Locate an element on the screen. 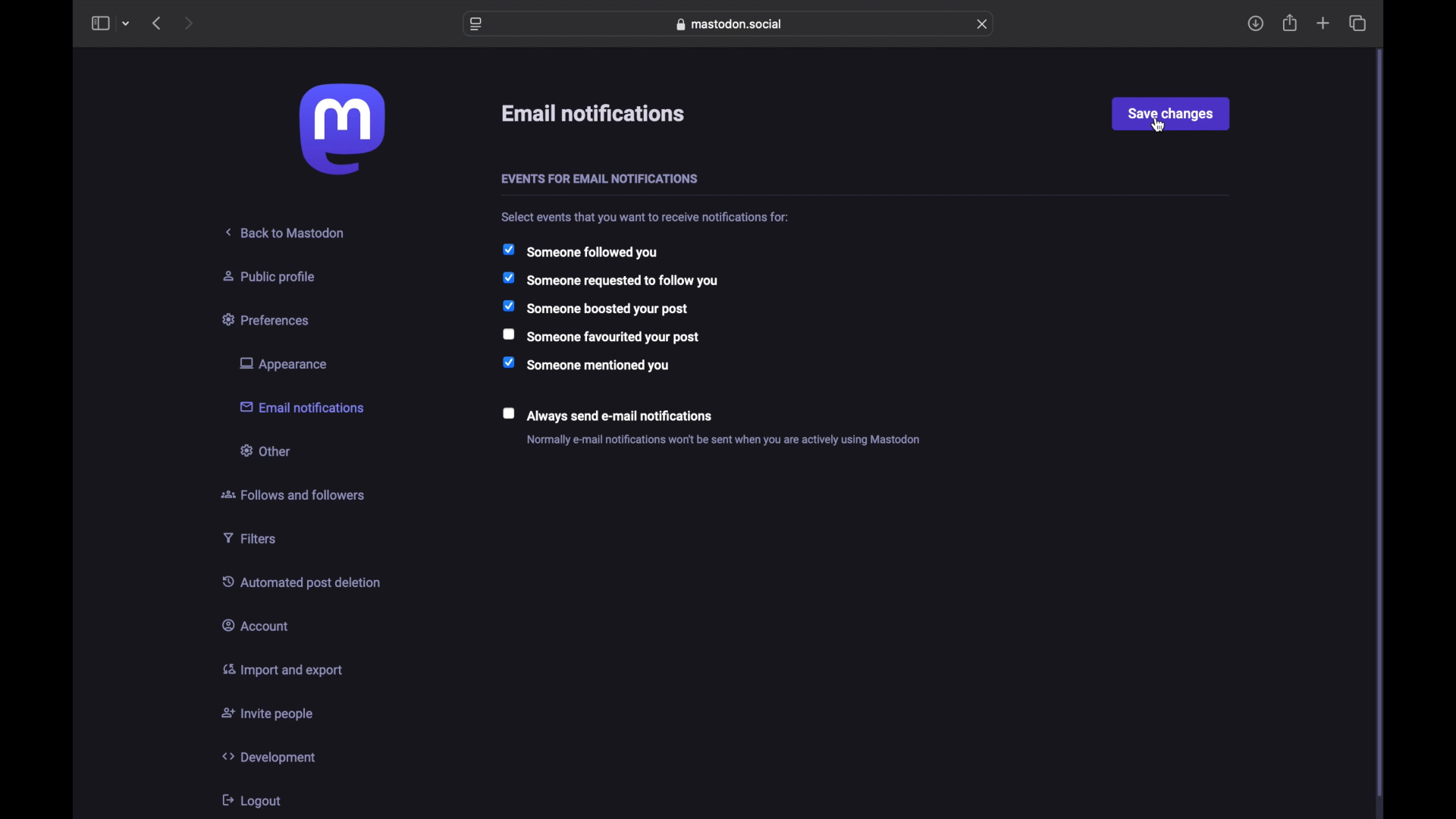 The image size is (1456, 819). back to mastodon is located at coordinates (286, 232).